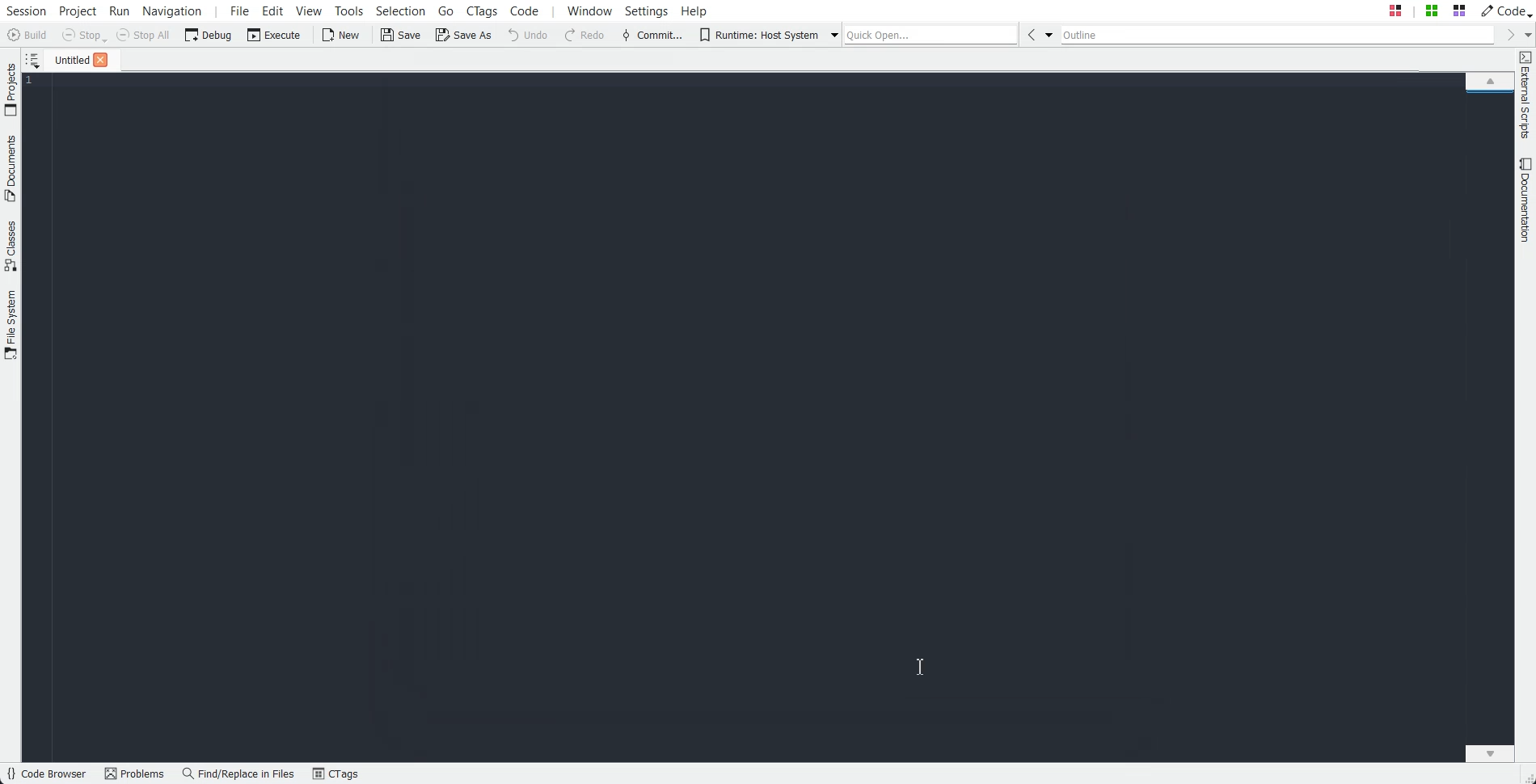  Describe the element at coordinates (1504, 10) in the screenshot. I see `Code ` at that location.